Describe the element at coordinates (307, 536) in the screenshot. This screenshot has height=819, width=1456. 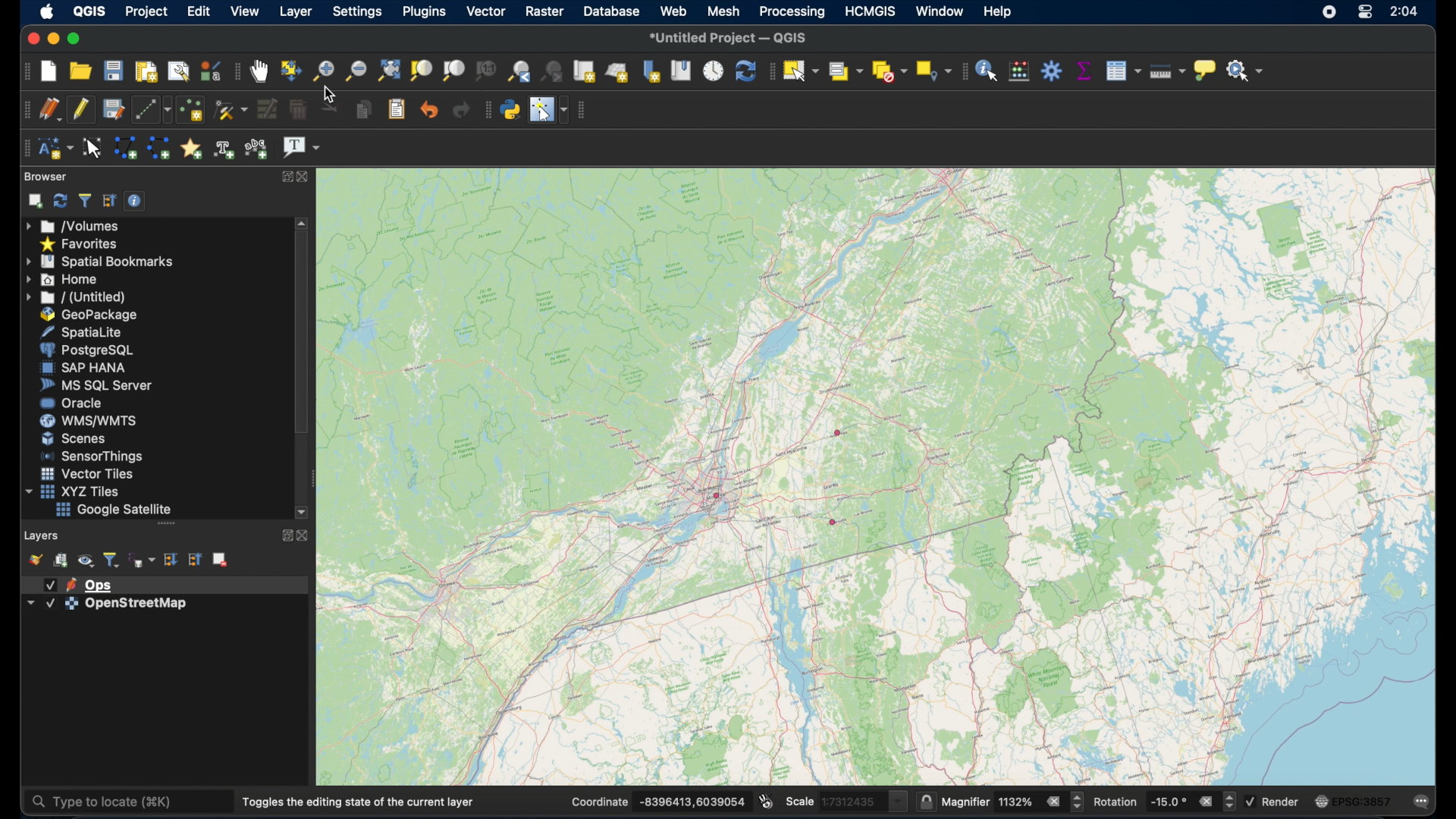
I see `close` at that location.